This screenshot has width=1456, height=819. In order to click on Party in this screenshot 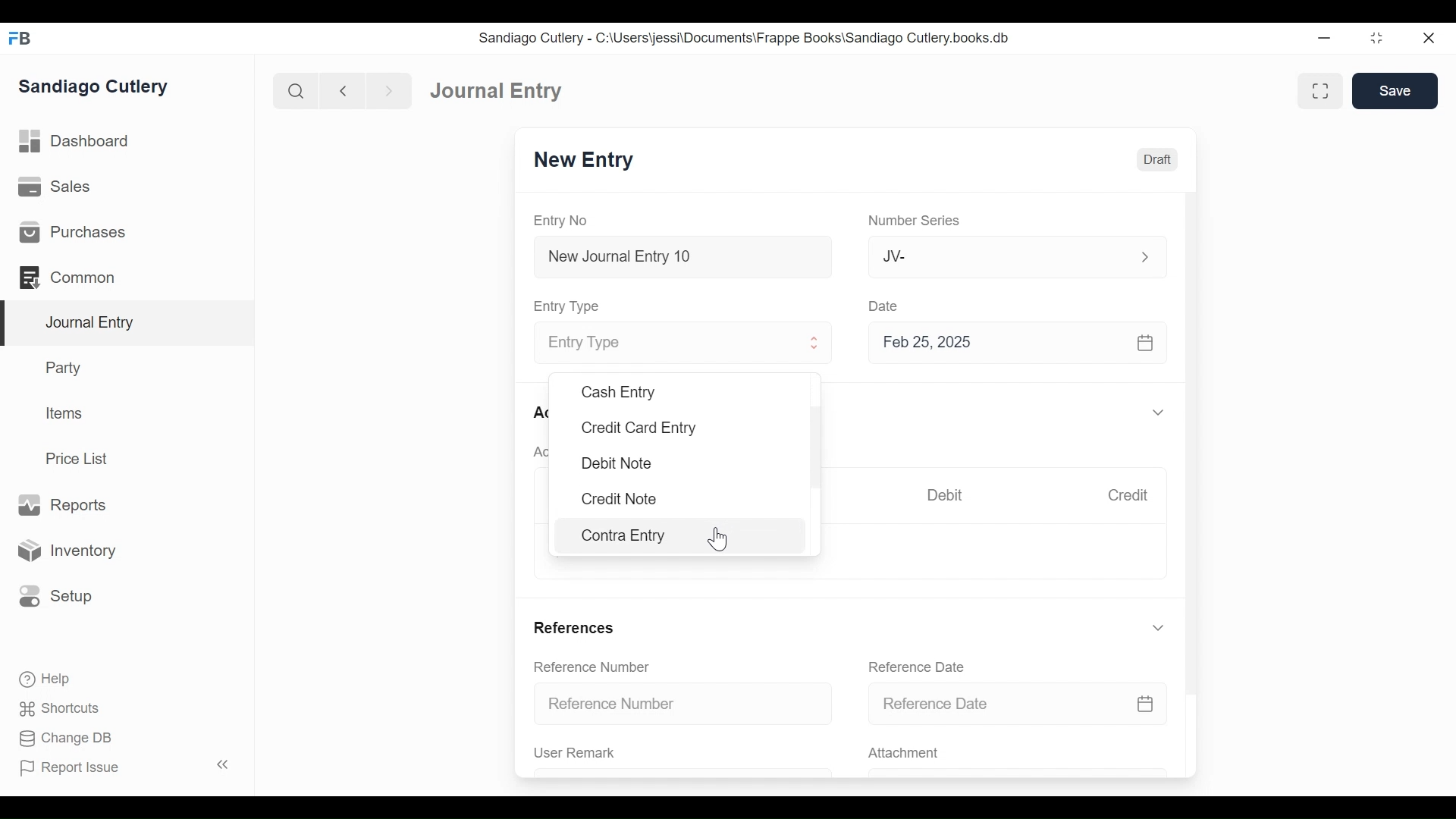, I will do `click(61, 368)`.